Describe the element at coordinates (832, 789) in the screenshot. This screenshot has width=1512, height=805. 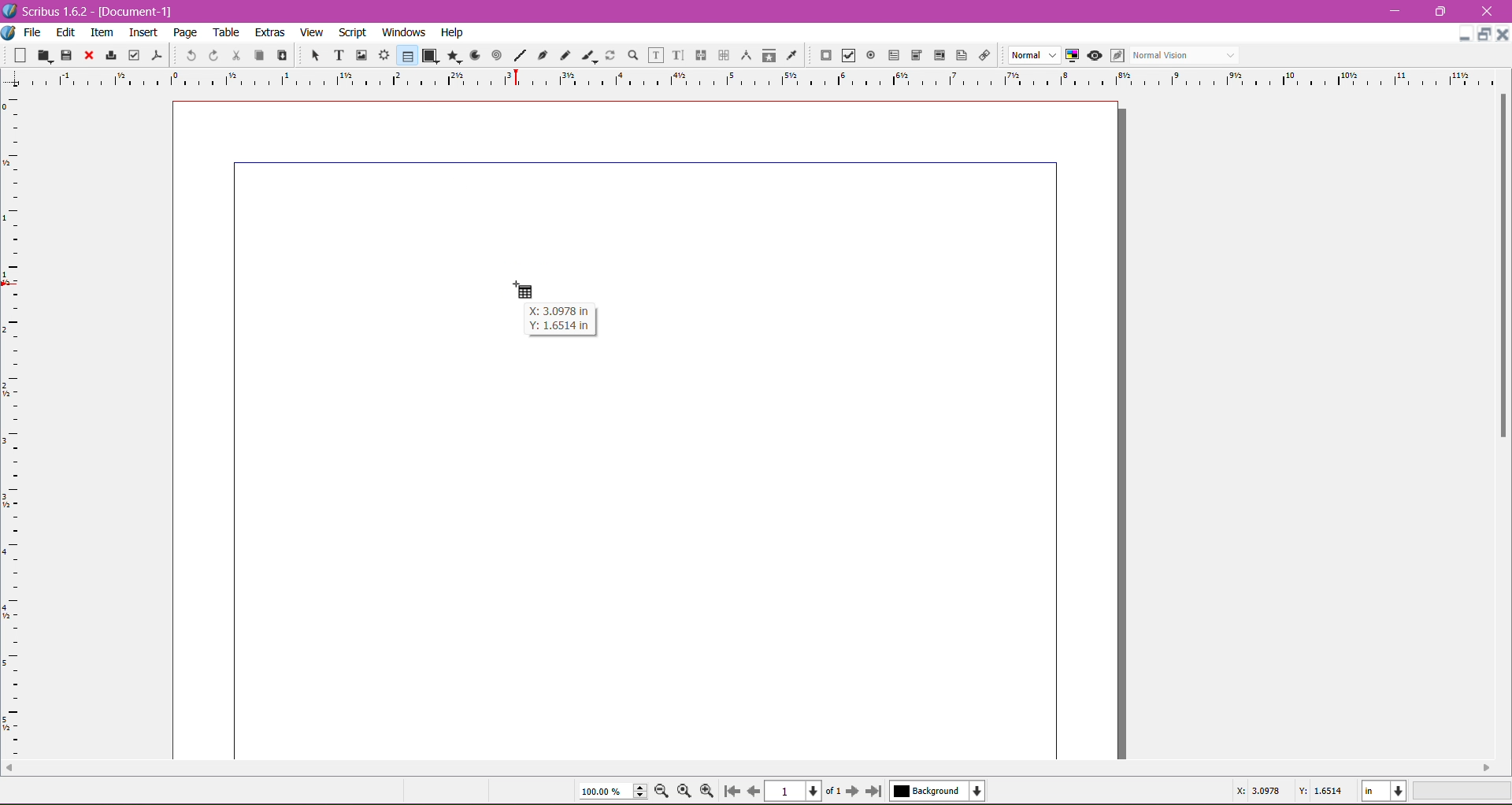
I see `of 1` at that location.